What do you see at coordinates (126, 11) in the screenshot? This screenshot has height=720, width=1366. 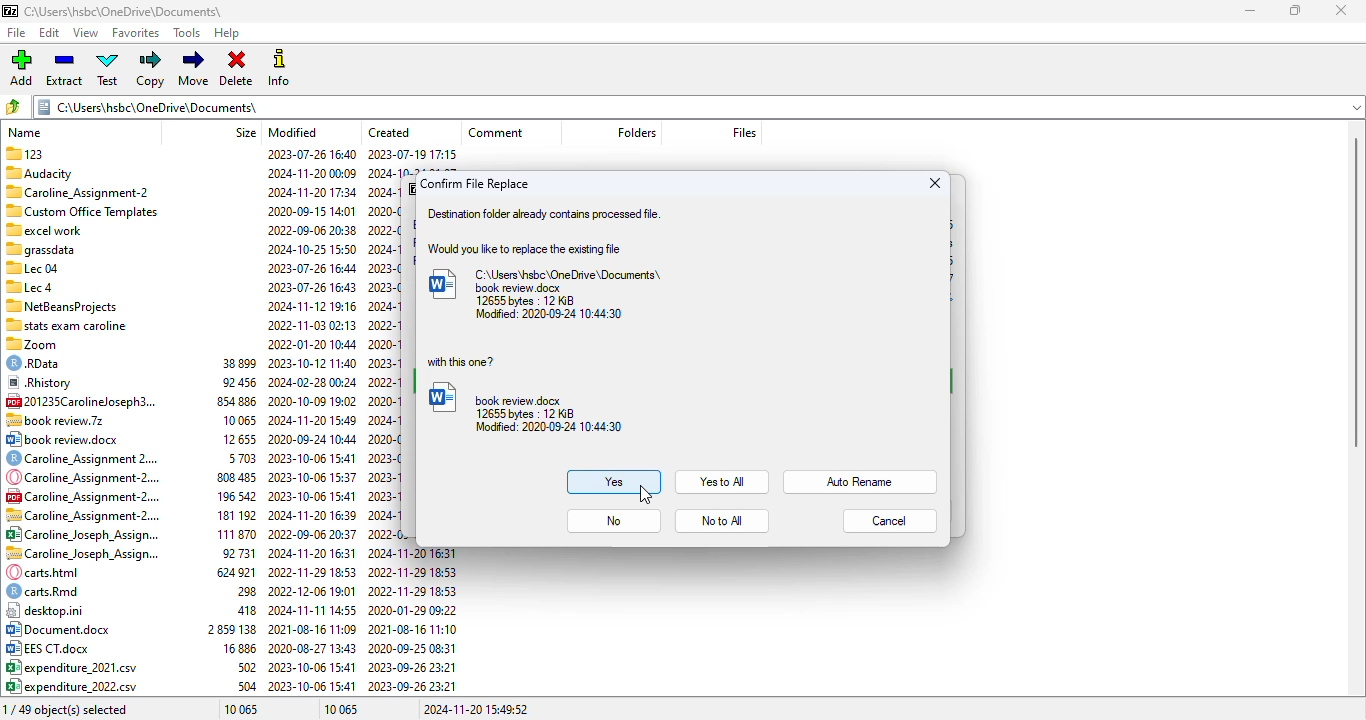 I see `folder` at bounding box center [126, 11].